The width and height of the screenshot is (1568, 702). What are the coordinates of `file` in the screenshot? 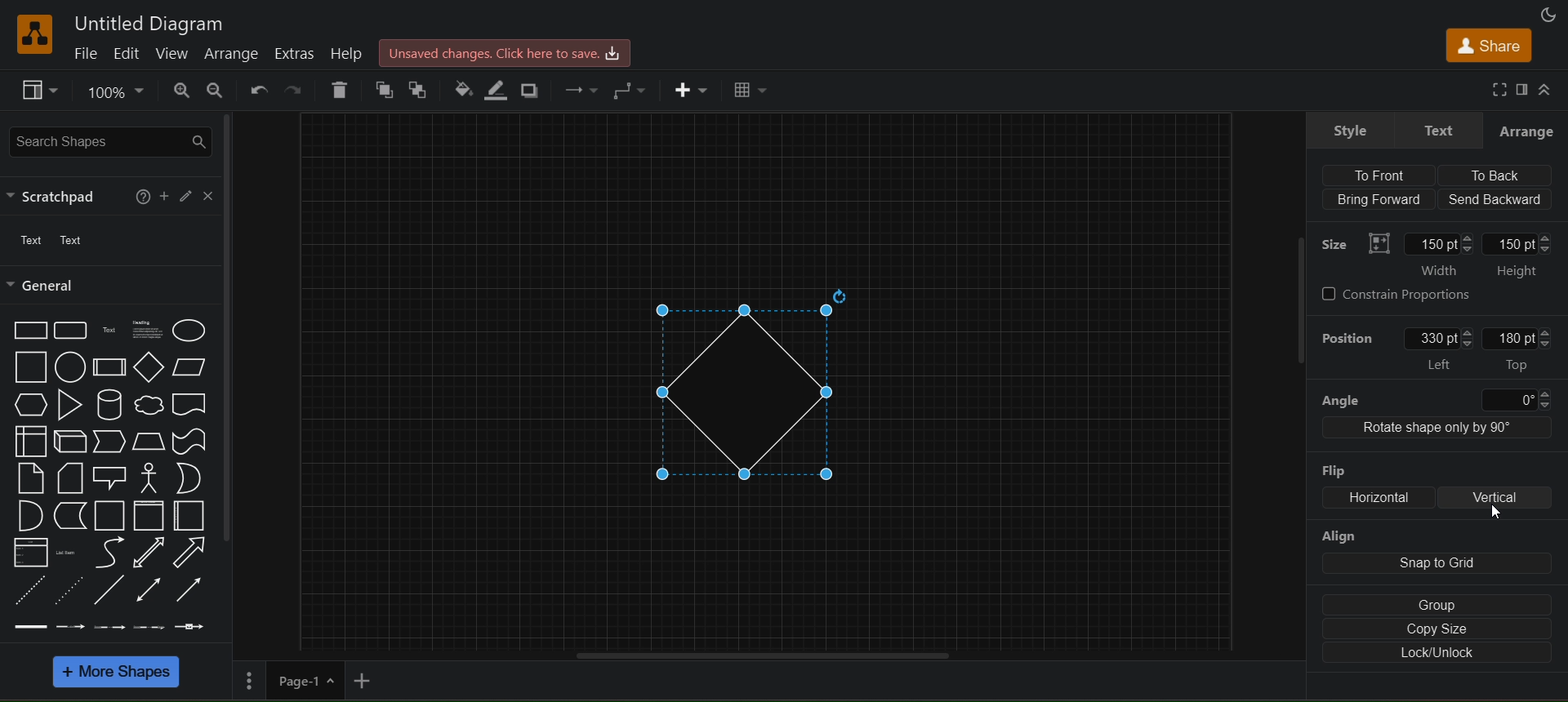 It's located at (90, 53).